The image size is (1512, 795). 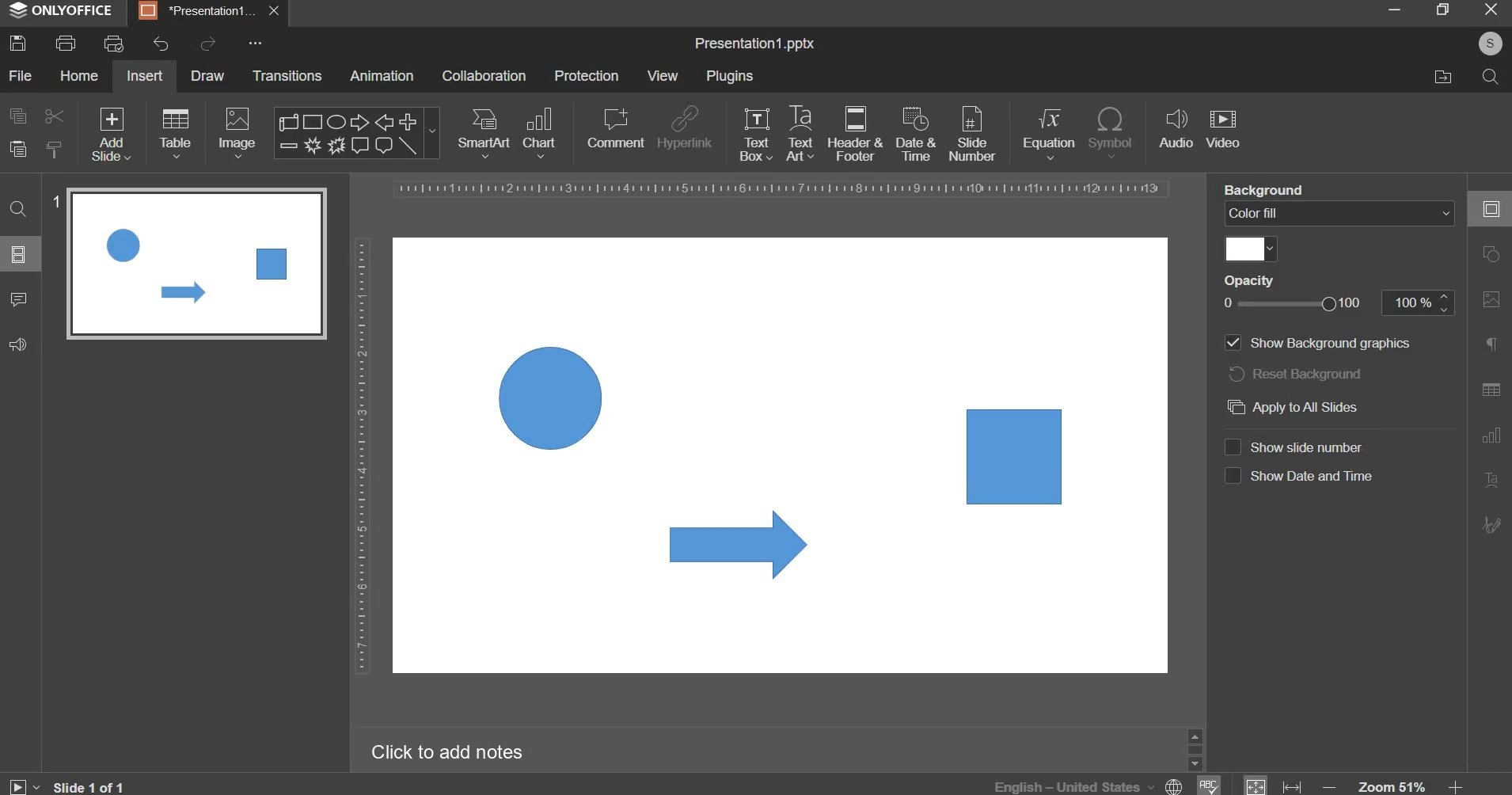 I want to click on date & time, so click(x=916, y=134).